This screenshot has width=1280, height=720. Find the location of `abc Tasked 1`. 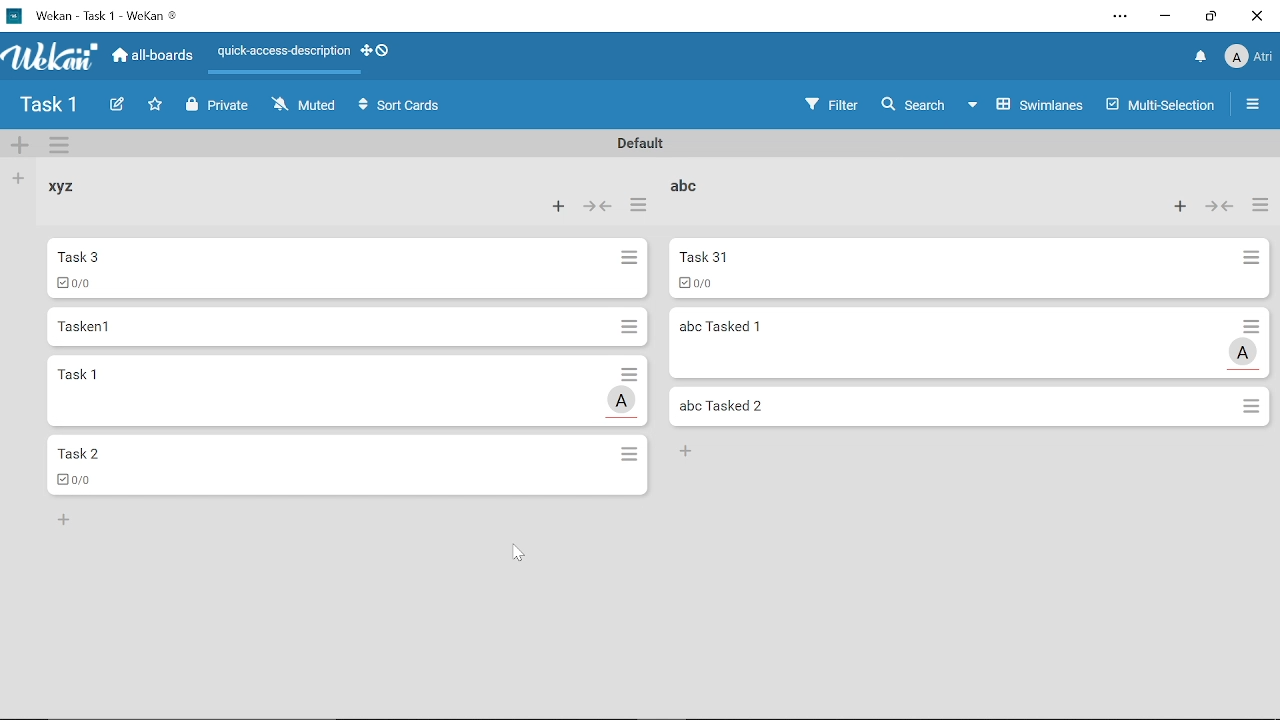

abc Tasked 1 is located at coordinates (971, 339).